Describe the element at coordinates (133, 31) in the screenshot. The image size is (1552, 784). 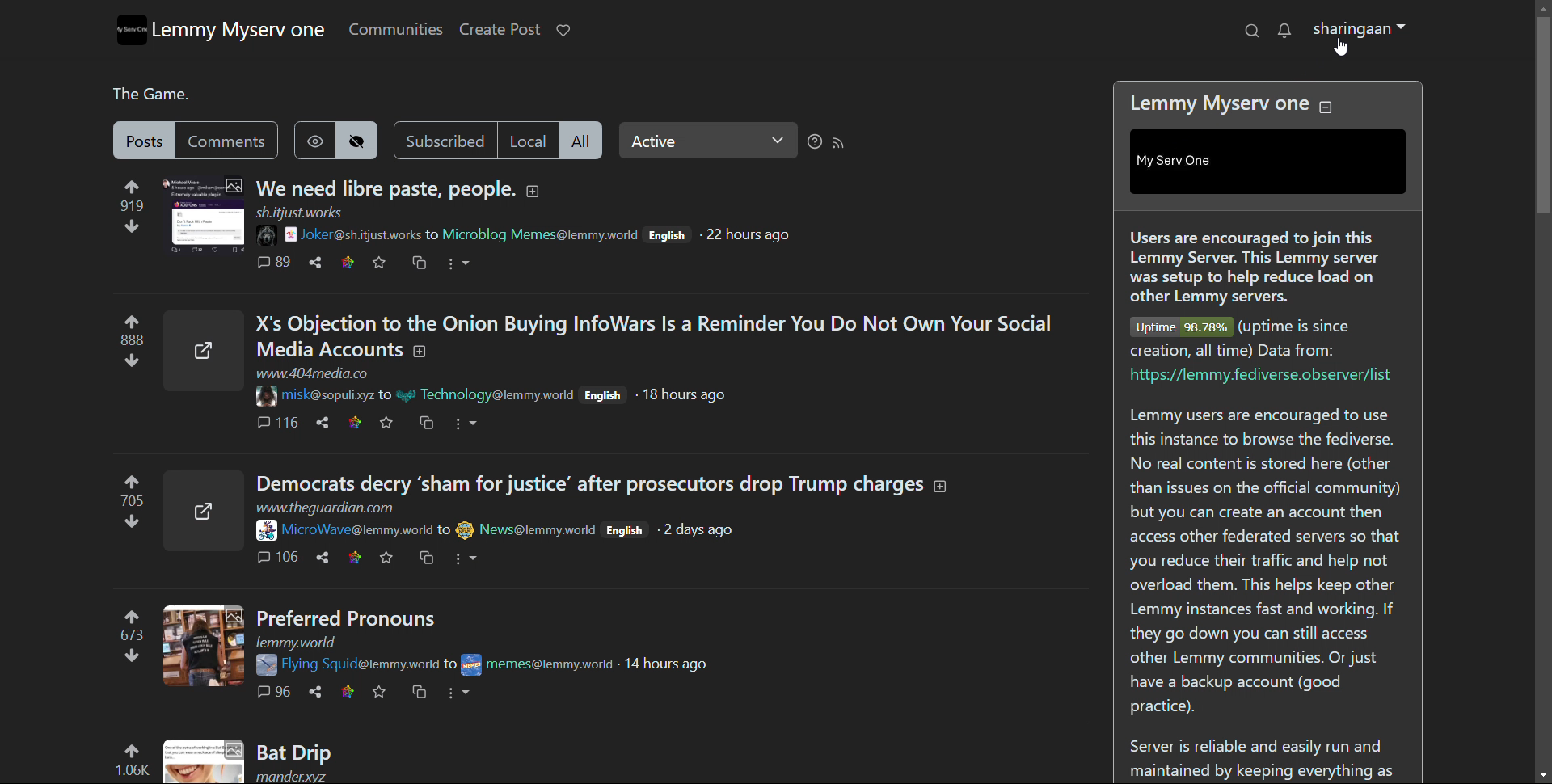
I see `logo` at that location.